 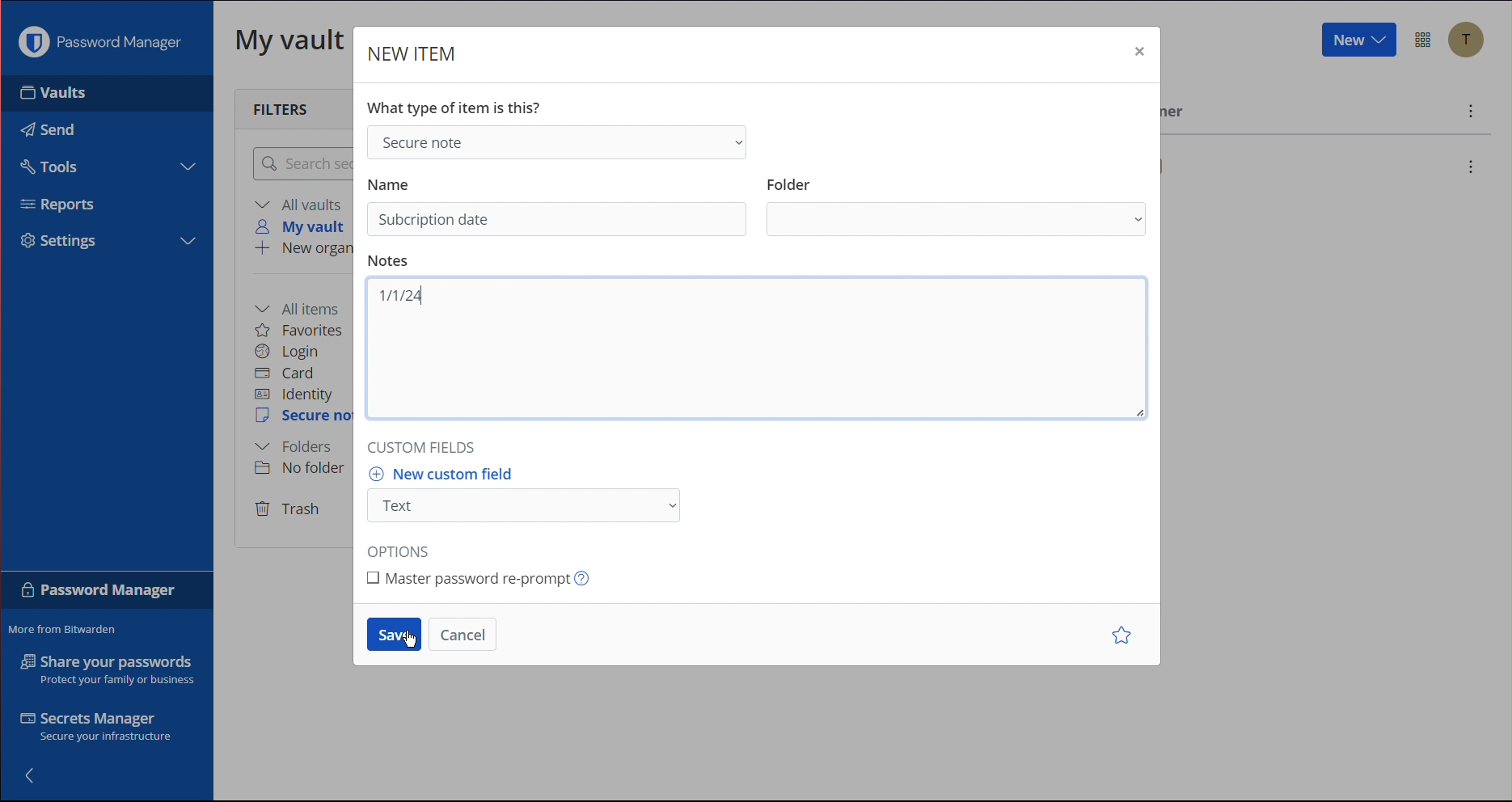 I want to click on All vaults, so click(x=302, y=204).